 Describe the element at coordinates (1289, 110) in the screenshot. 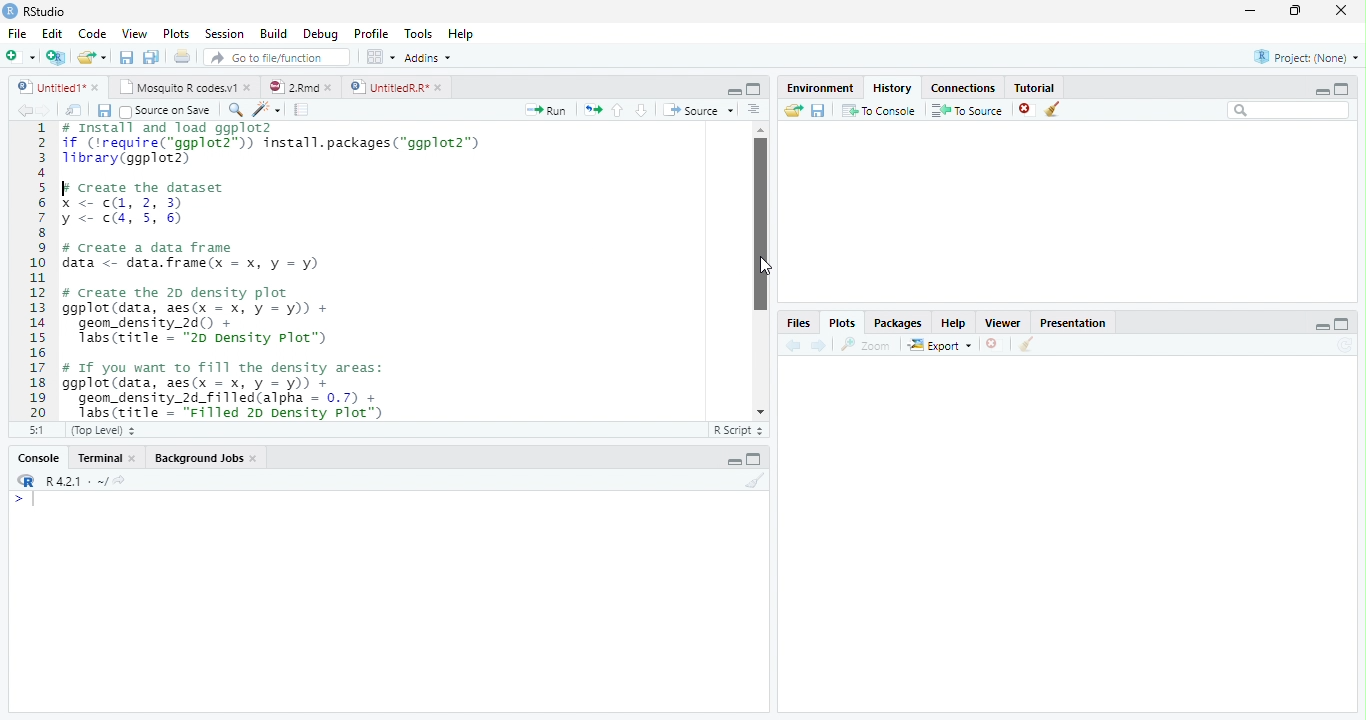

I see `Search` at that location.